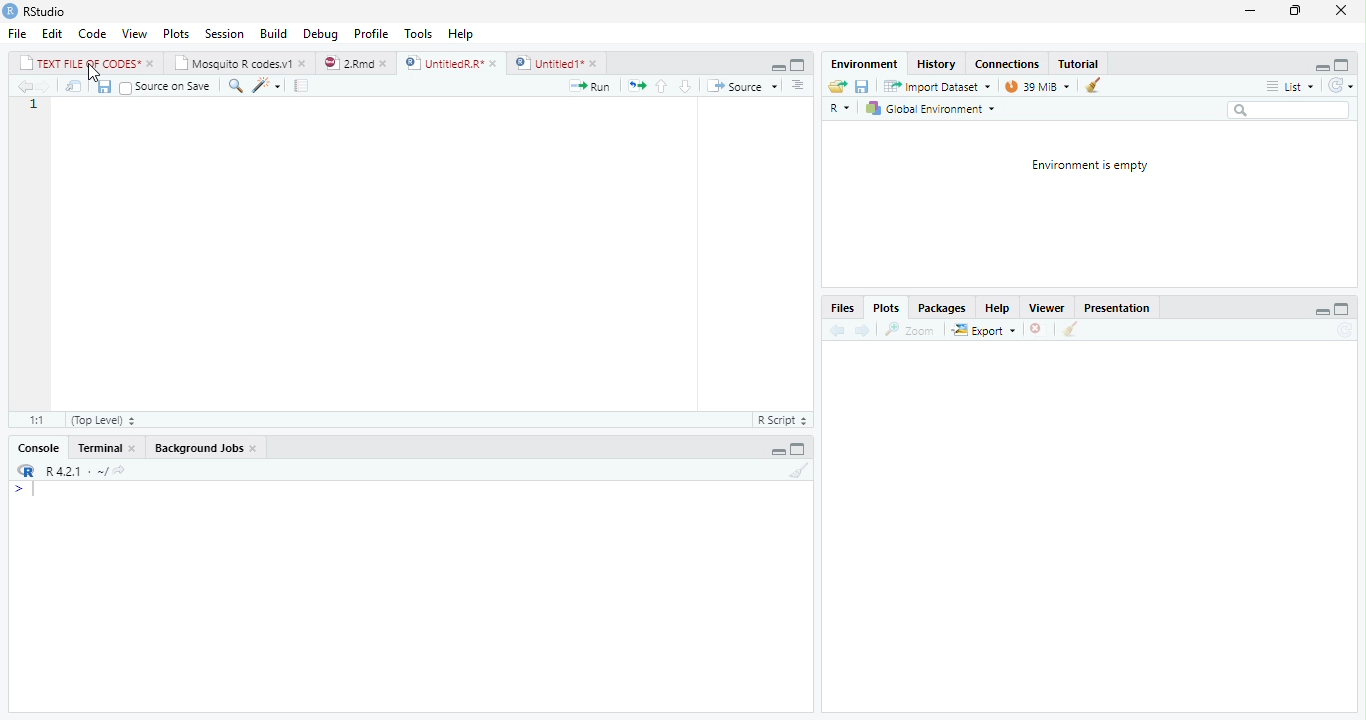 Image resolution: width=1366 pixels, height=720 pixels. Describe the element at coordinates (938, 64) in the screenshot. I see `History` at that location.